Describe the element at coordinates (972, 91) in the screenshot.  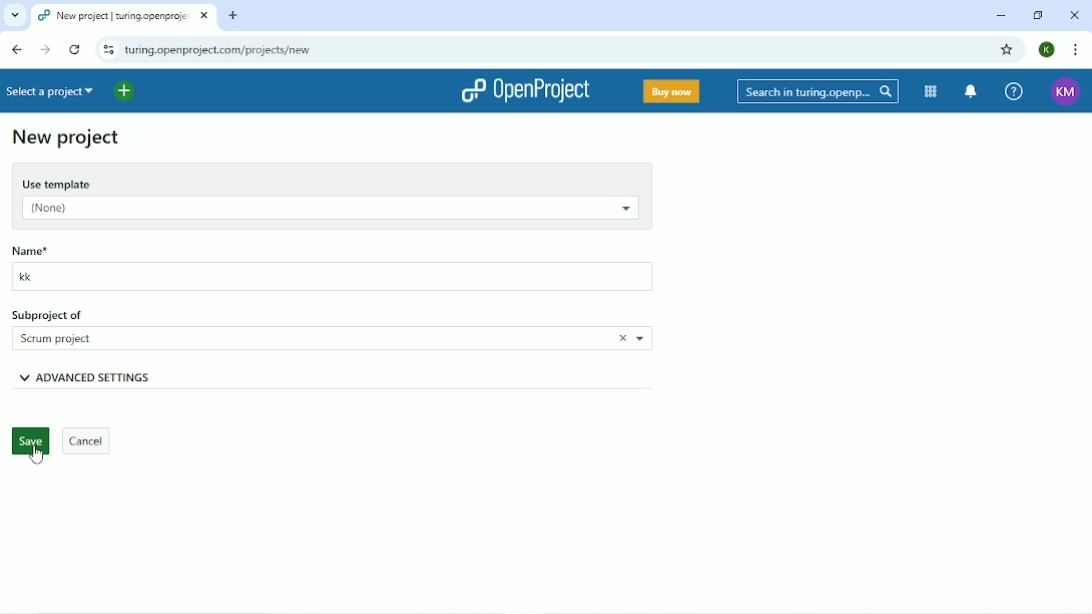
I see `To notification center` at that location.